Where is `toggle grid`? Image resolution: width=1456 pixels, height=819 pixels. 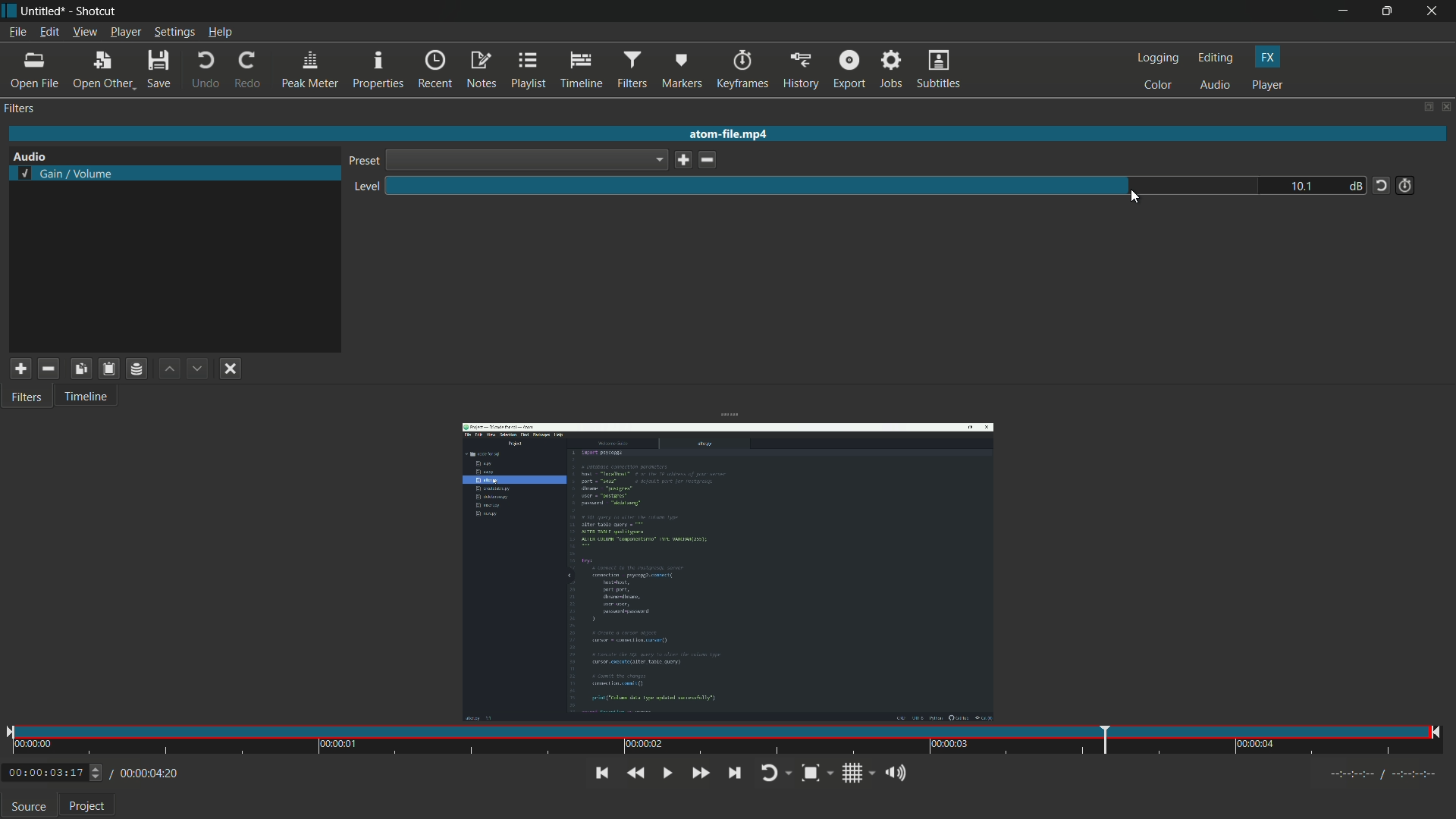
toggle grid is located at coordinates (859, 774).